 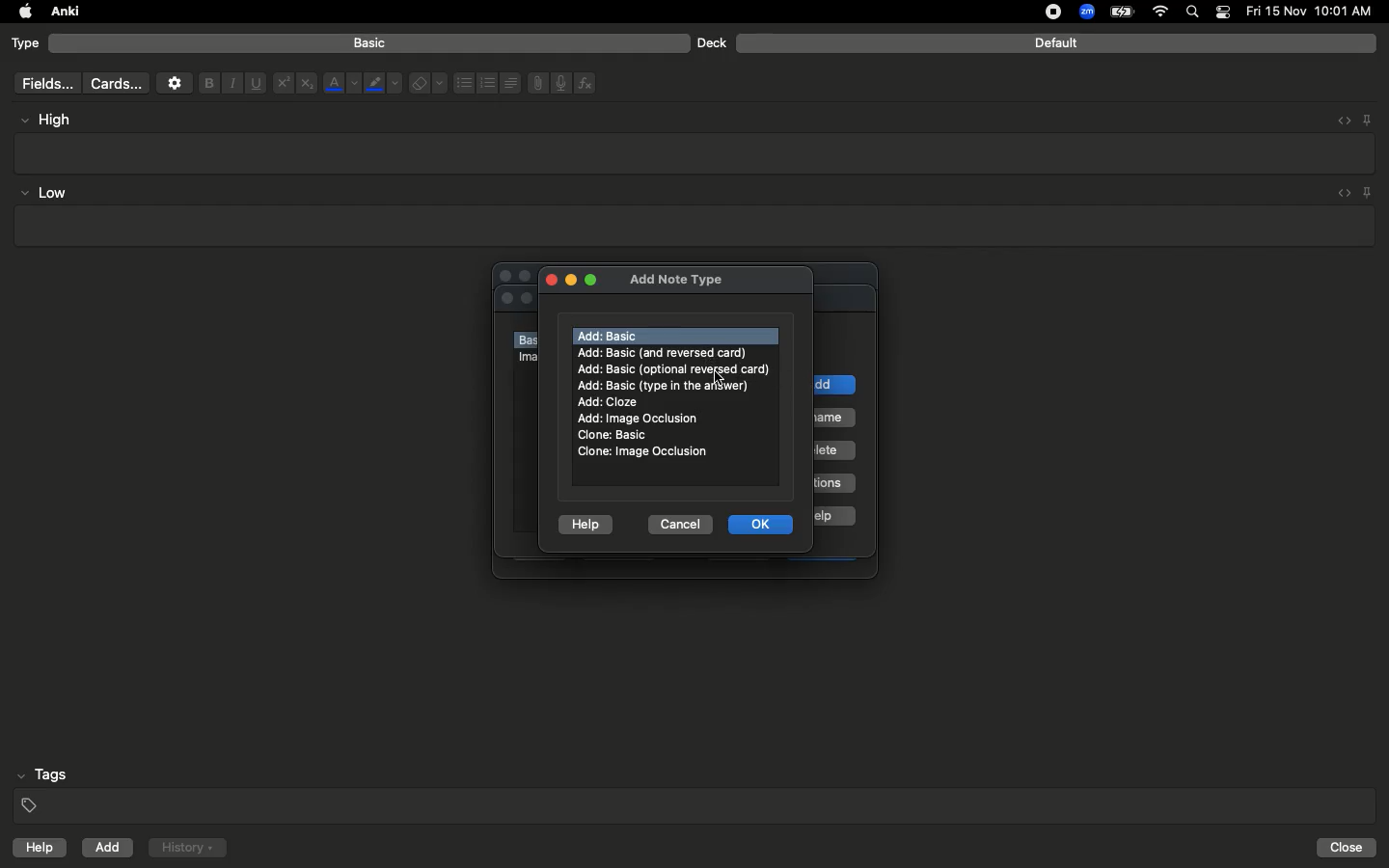 I want to click on Charge, so click(x=1121, y=12).